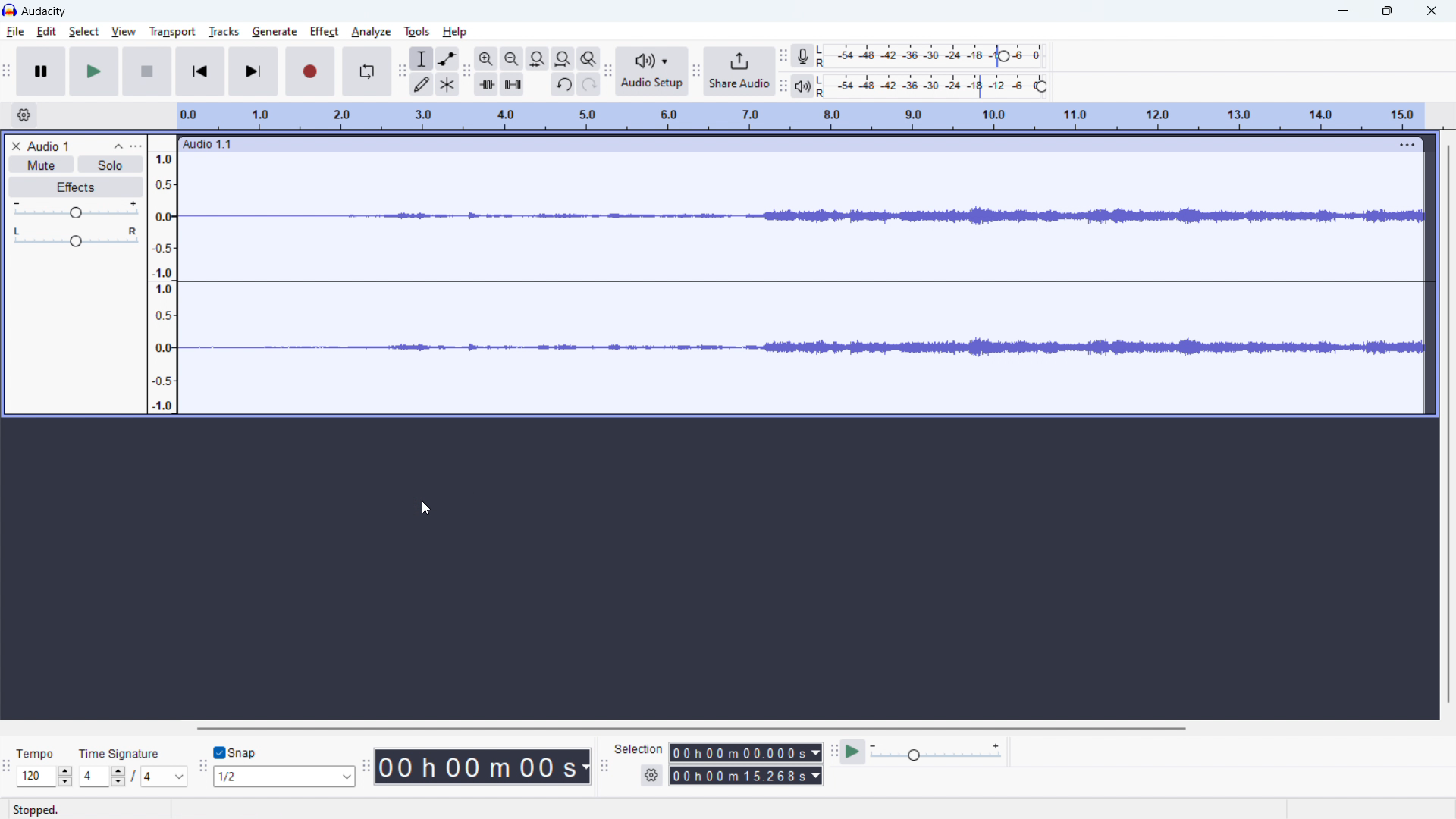 Image resolution: width=1456 pixels, height=819 pixels. I want to click on end time, so click(748, 777).